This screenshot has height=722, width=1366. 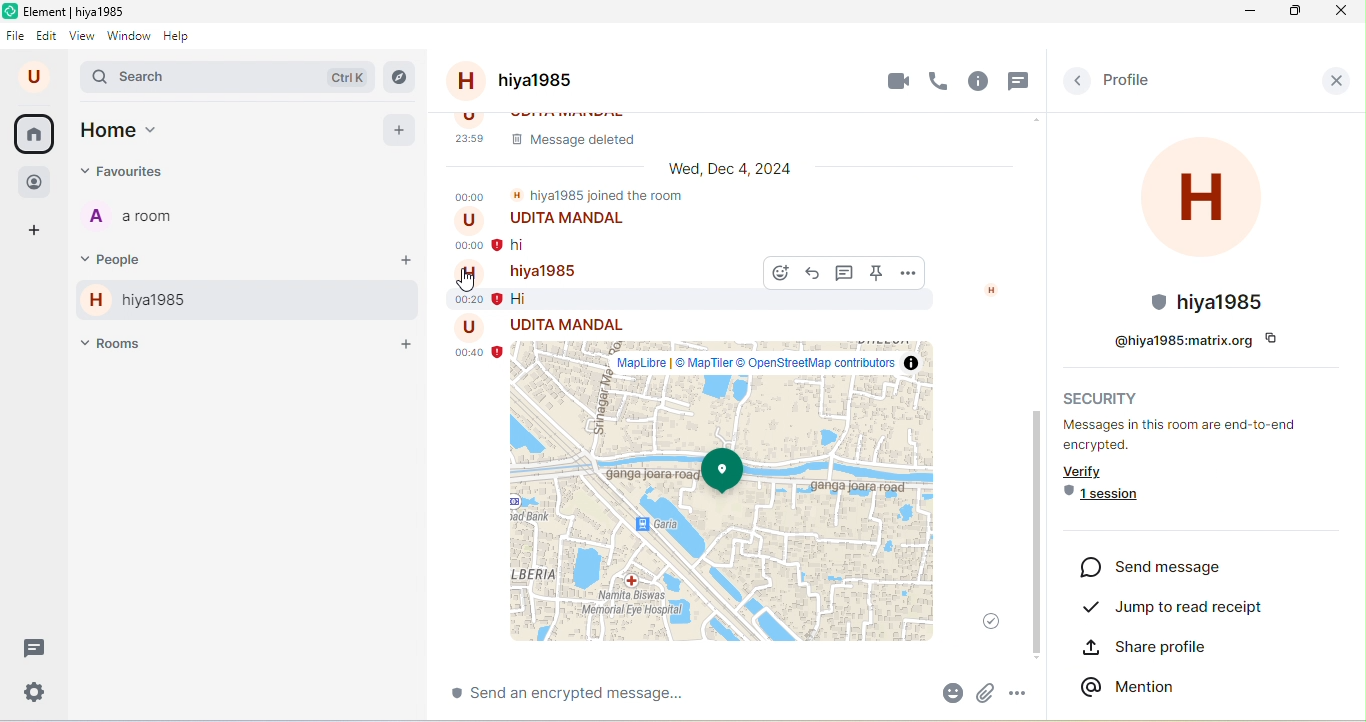 I want to click on add room, so click(x=406, y=338).